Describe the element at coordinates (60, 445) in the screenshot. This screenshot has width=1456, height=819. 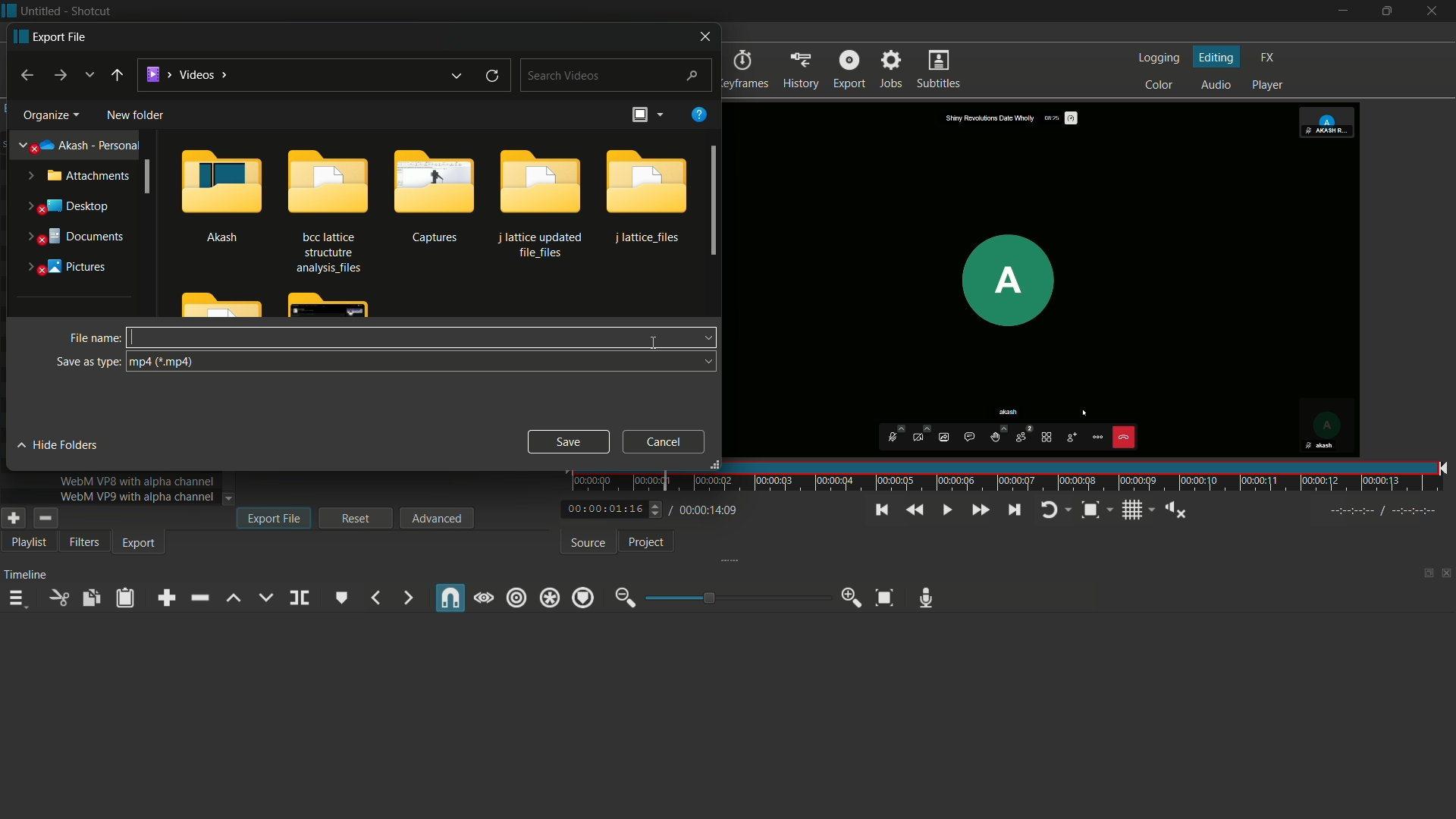
I see `hide folders` at that location.